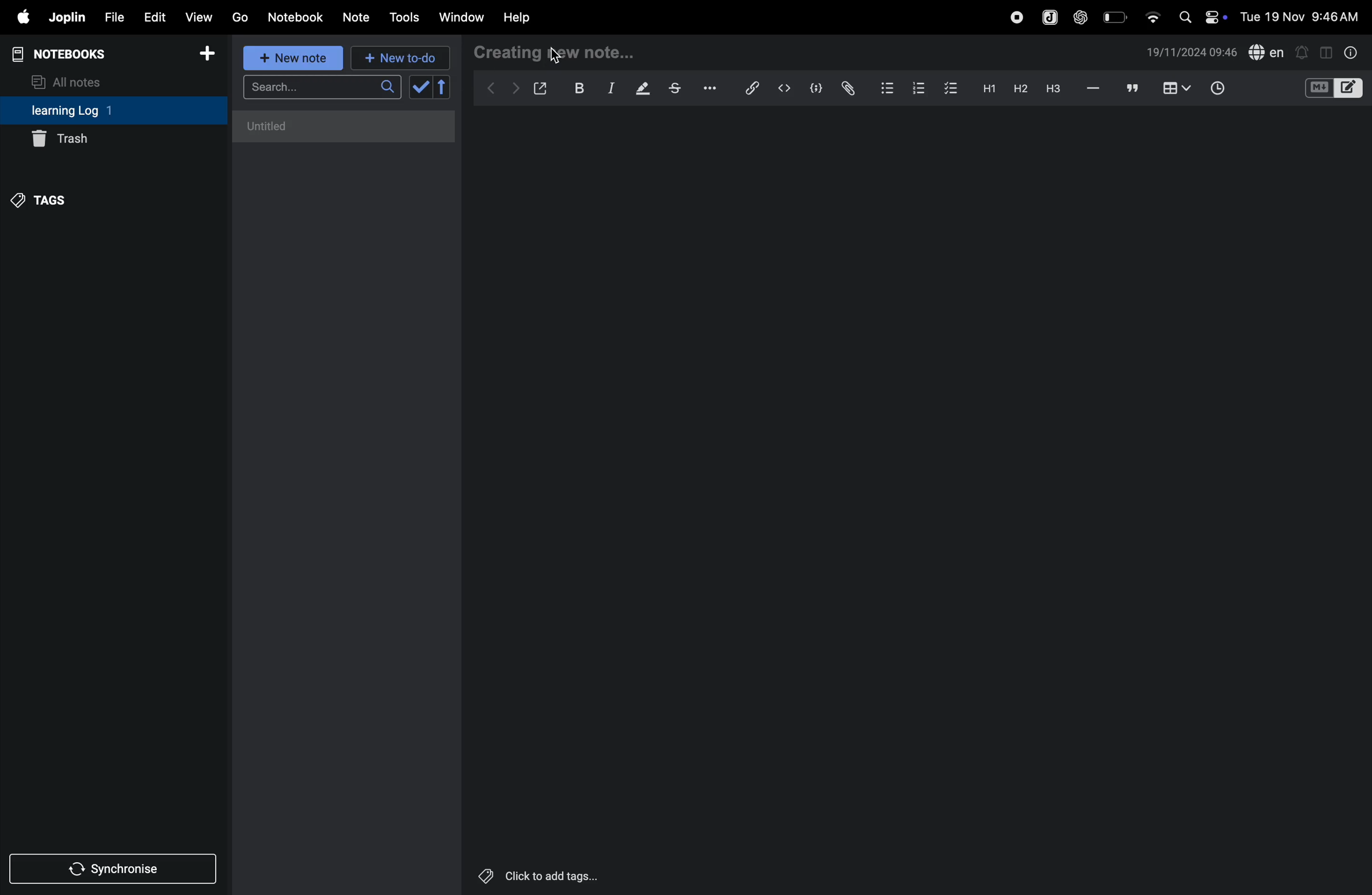  Describe the element at coordinates (153, 17) in the screenshot. I see `edit` at that location.